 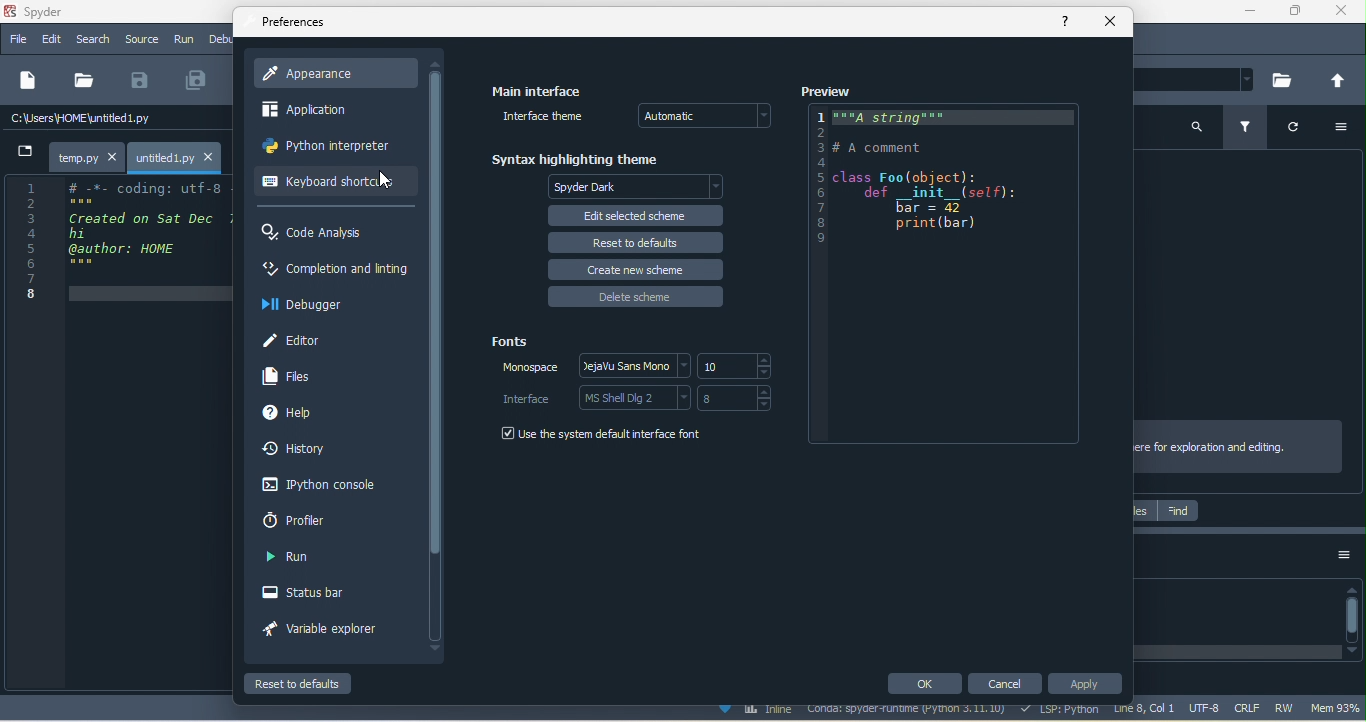 I want to click on c\users\home\untitled1, so click(x=115, y=121).